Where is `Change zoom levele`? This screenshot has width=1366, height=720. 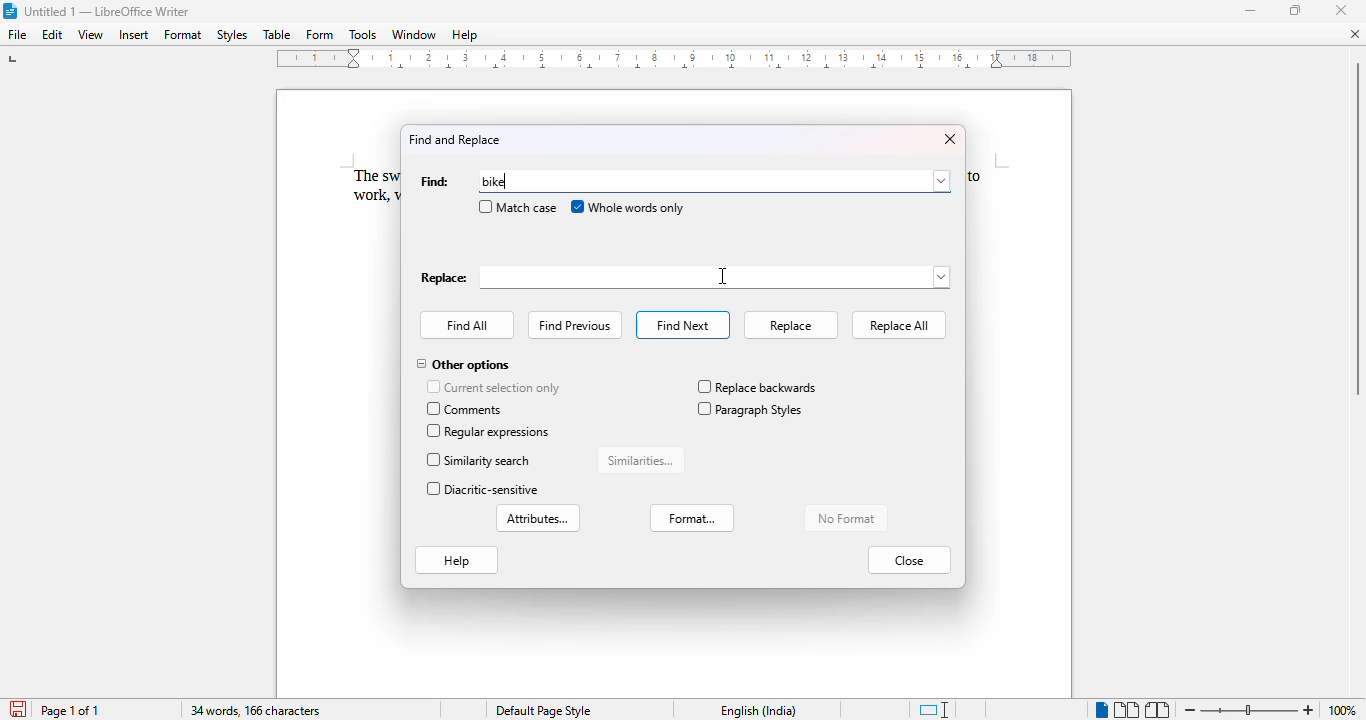
Change zoom levele is located at coordinates (1248, 711).